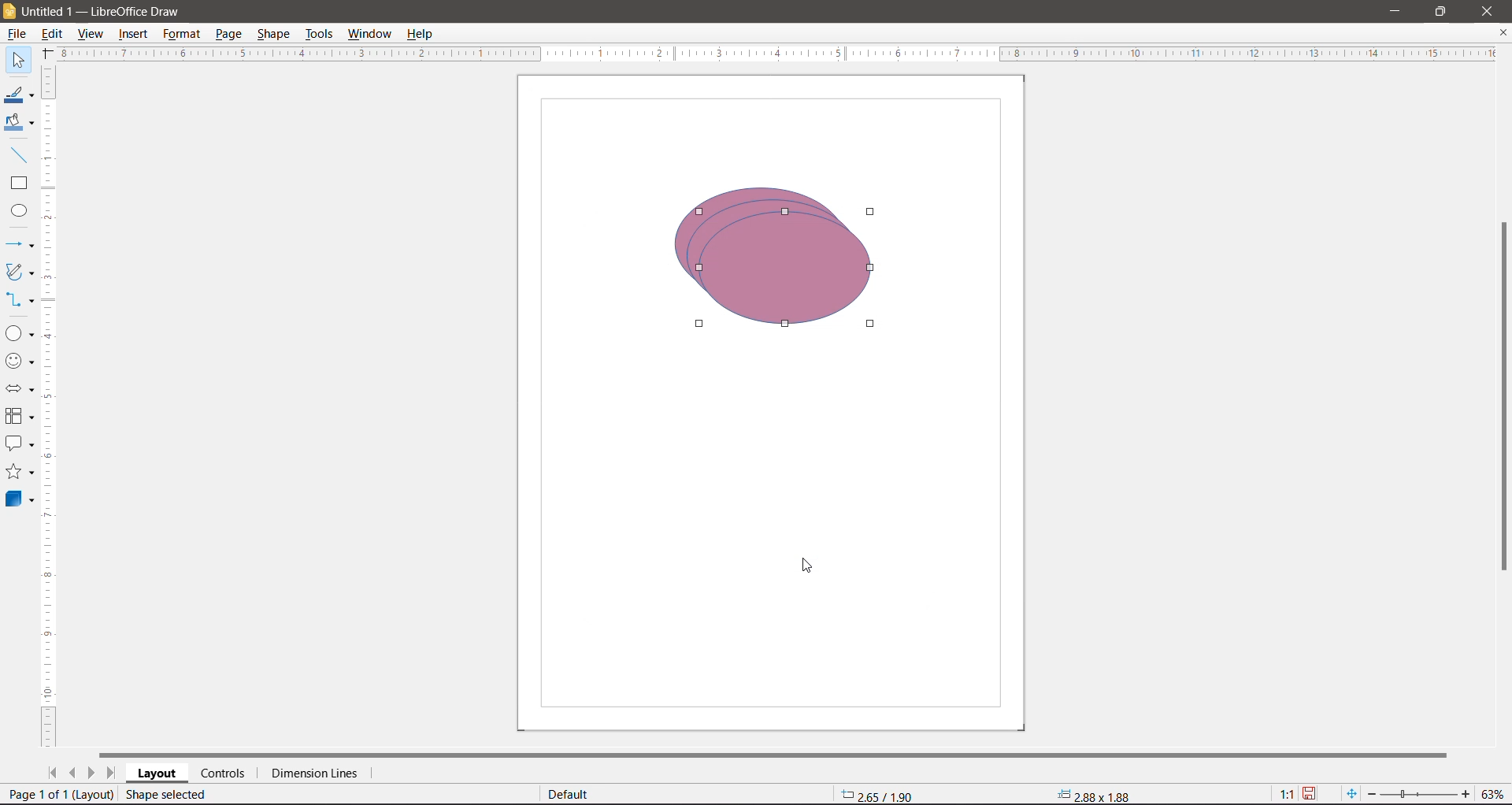  I want to click on Close Document, so click(1503, 33).